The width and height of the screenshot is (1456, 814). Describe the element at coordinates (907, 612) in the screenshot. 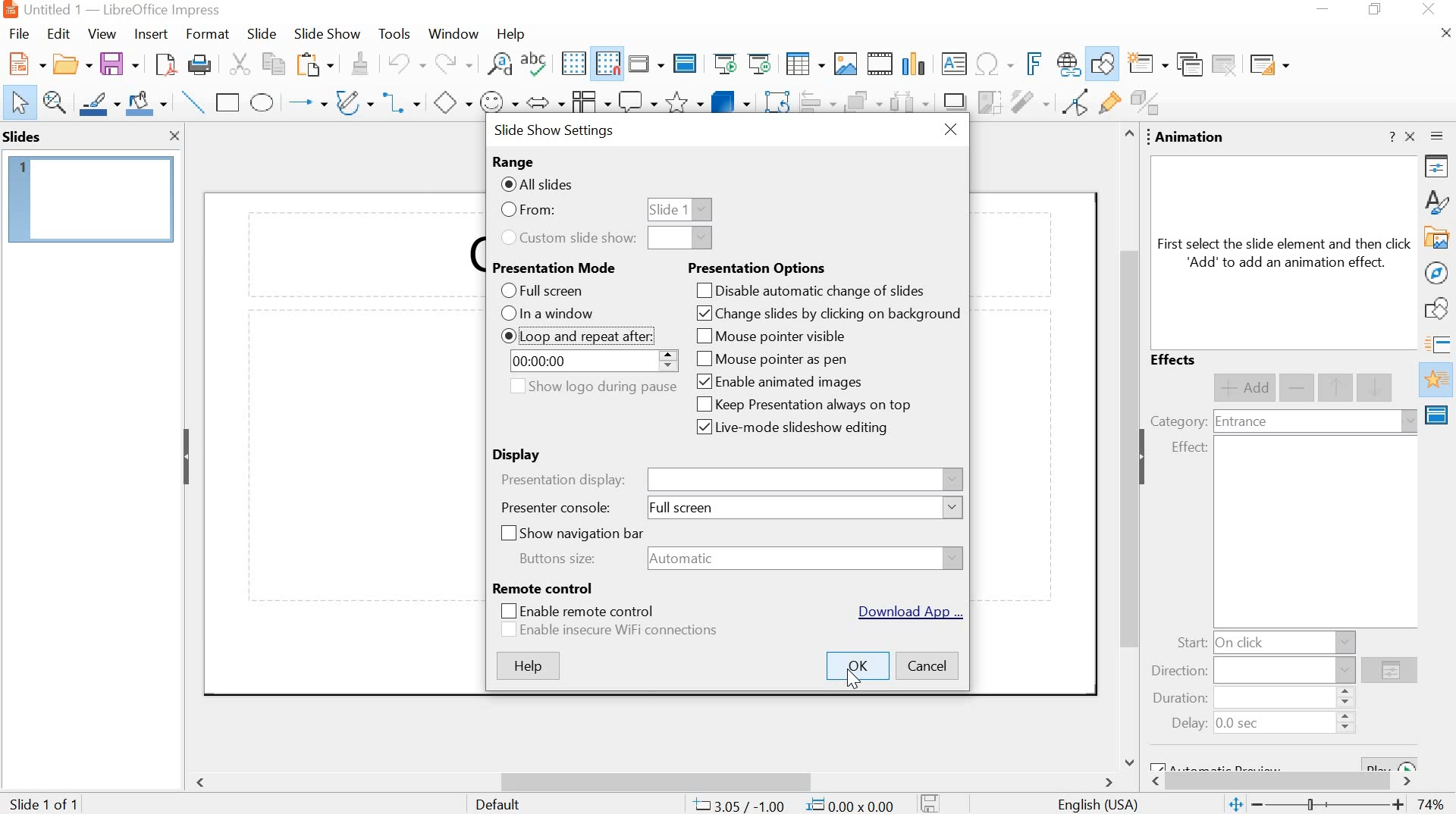

I see `download app` at that location.